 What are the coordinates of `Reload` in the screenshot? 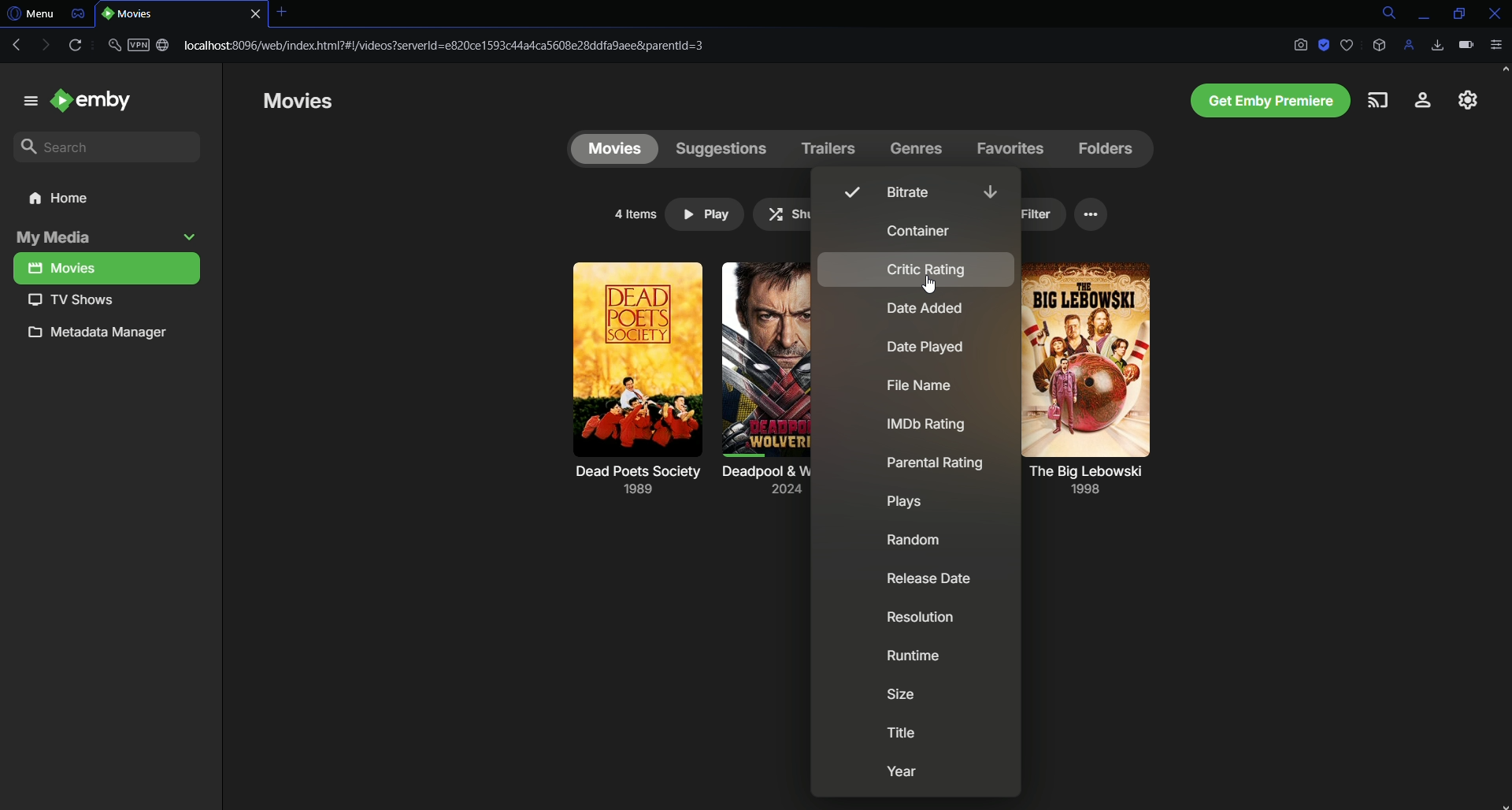 It's located at (74, 46).